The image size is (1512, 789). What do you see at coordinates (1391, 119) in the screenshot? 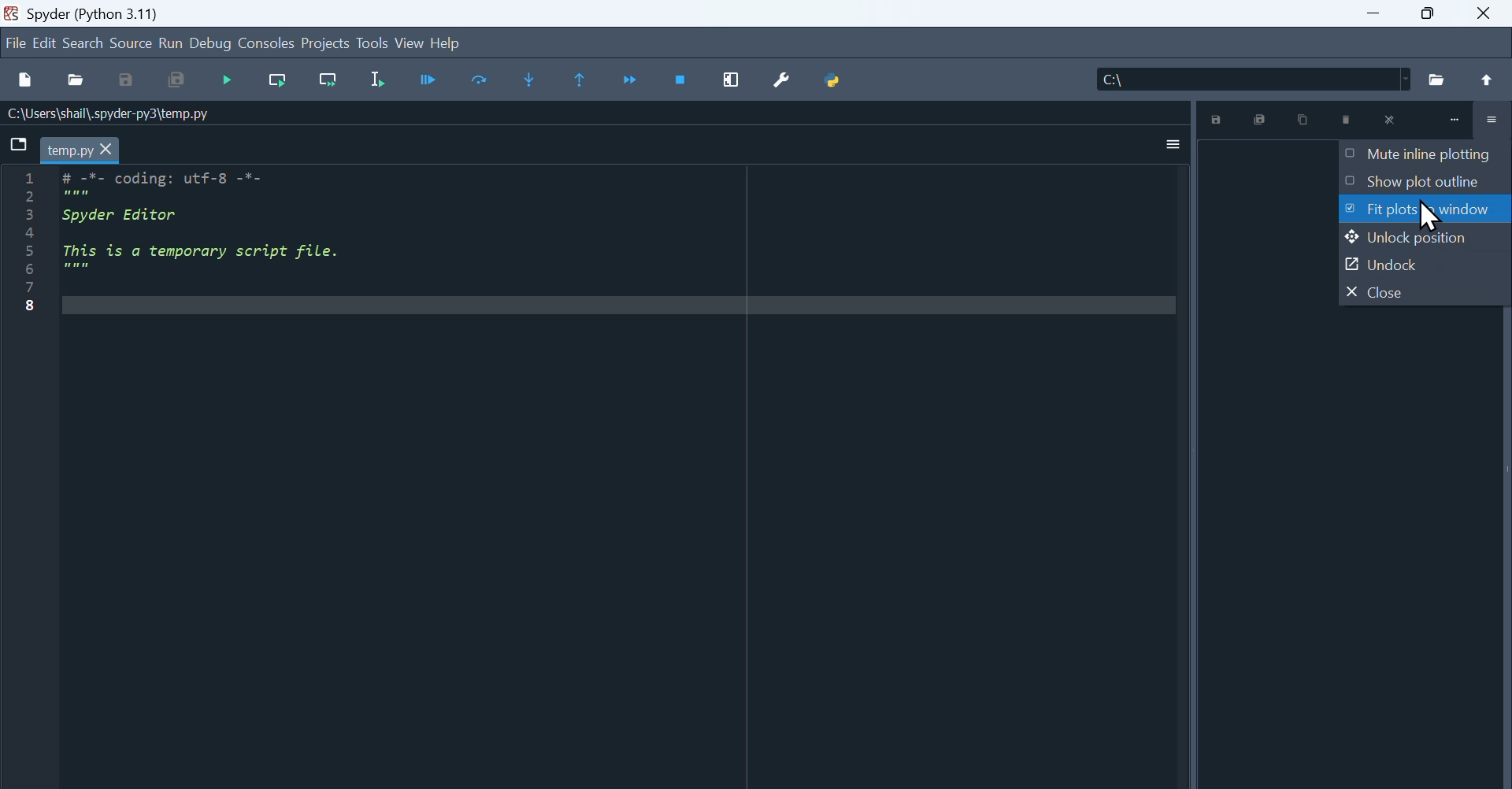
I see `close` at bounding box center [1391, 119].